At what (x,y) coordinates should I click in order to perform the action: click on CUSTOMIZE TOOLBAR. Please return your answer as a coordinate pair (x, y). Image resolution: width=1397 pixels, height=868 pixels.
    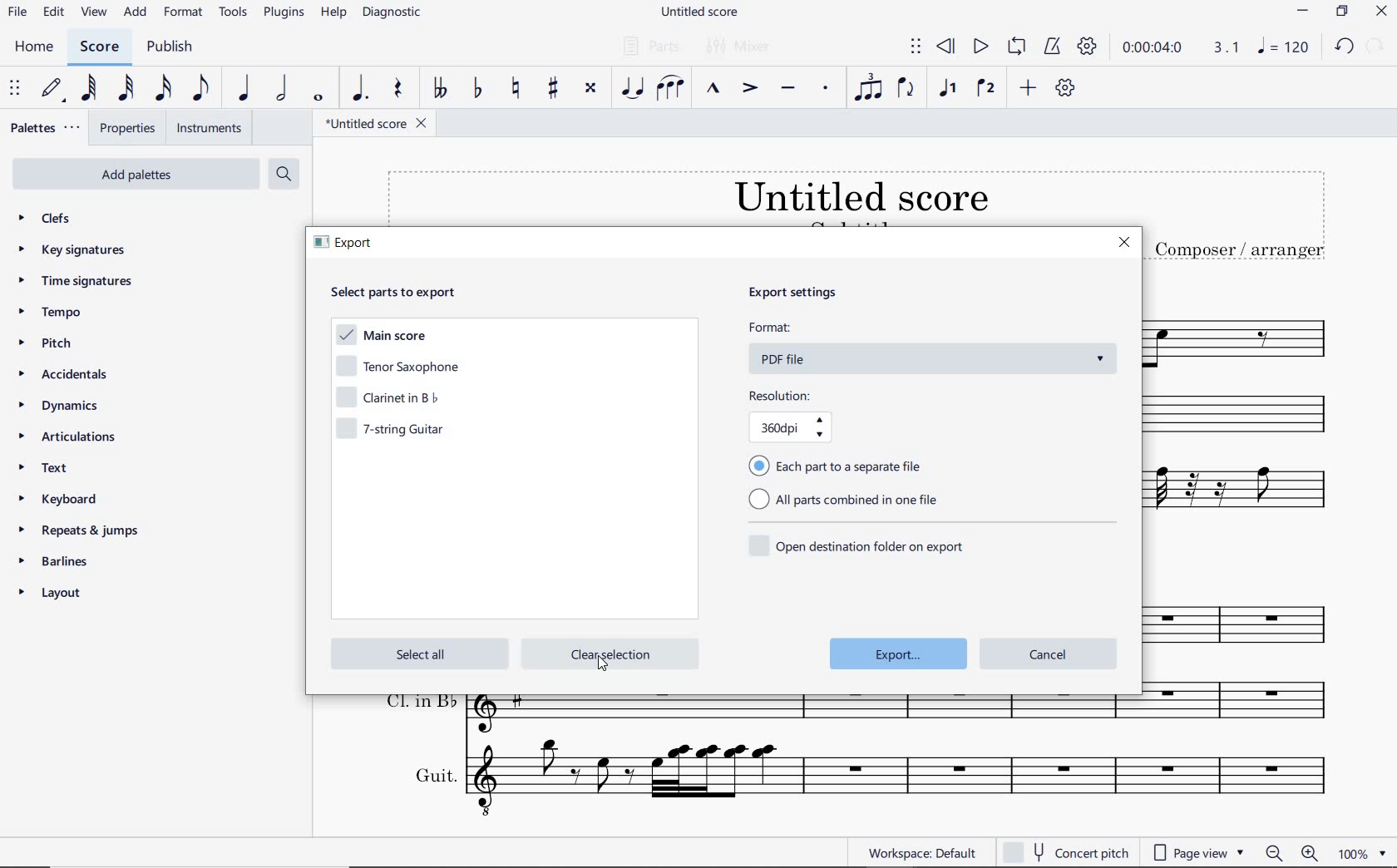
    Looking at the image, I should click on (1064, 87).